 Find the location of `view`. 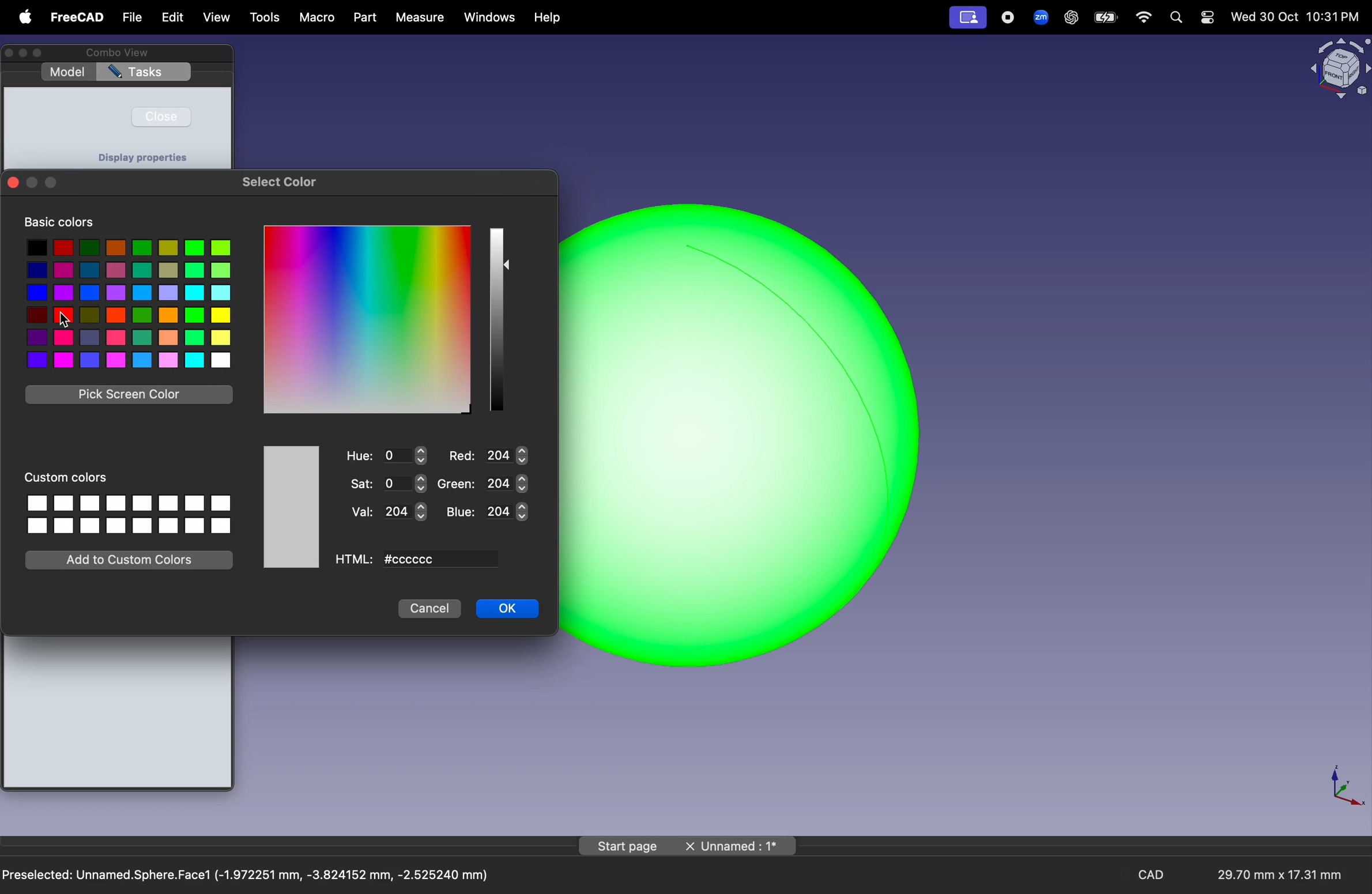

view is located at coordinates (217, 19).